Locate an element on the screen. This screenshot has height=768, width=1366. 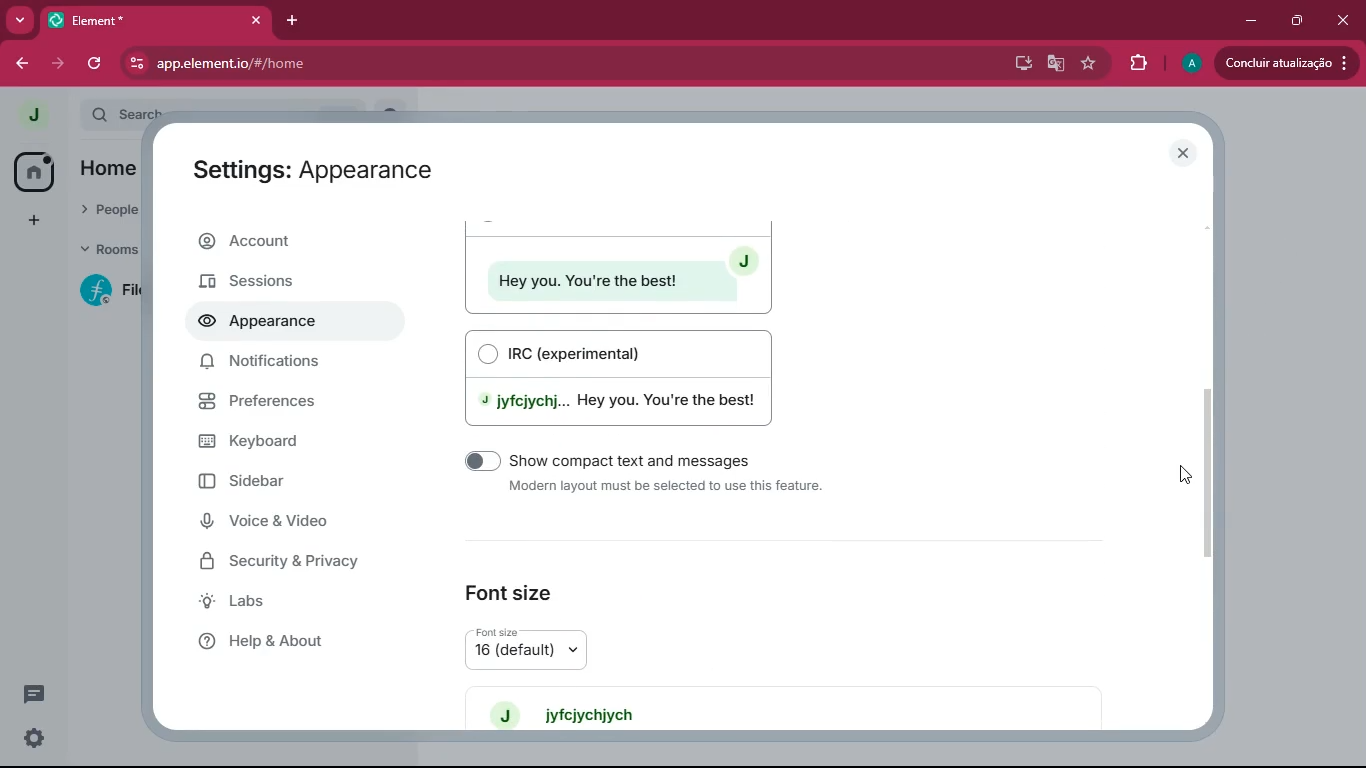
back is located at coordinates (23, 65).